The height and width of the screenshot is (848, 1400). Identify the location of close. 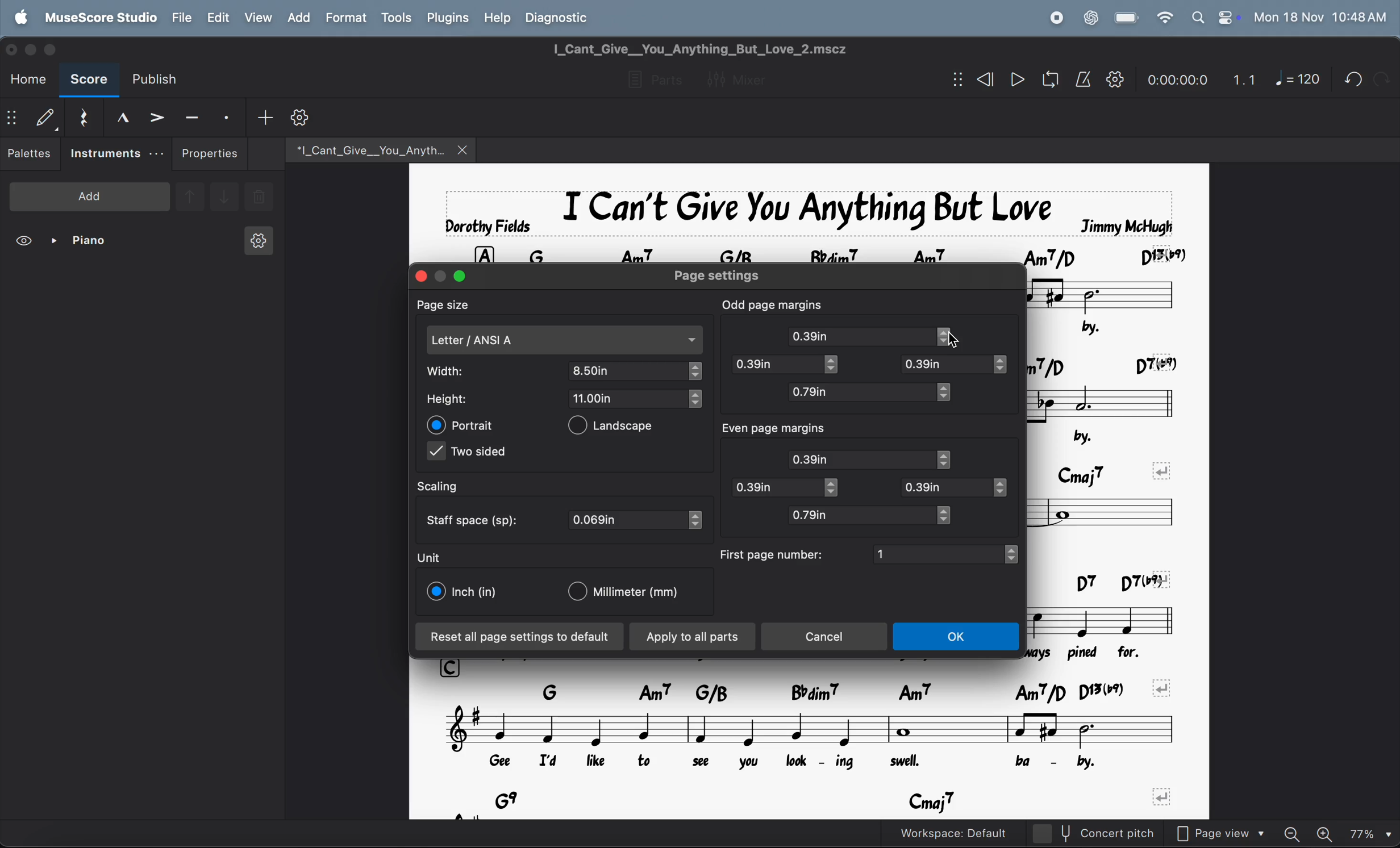
(418, 275).